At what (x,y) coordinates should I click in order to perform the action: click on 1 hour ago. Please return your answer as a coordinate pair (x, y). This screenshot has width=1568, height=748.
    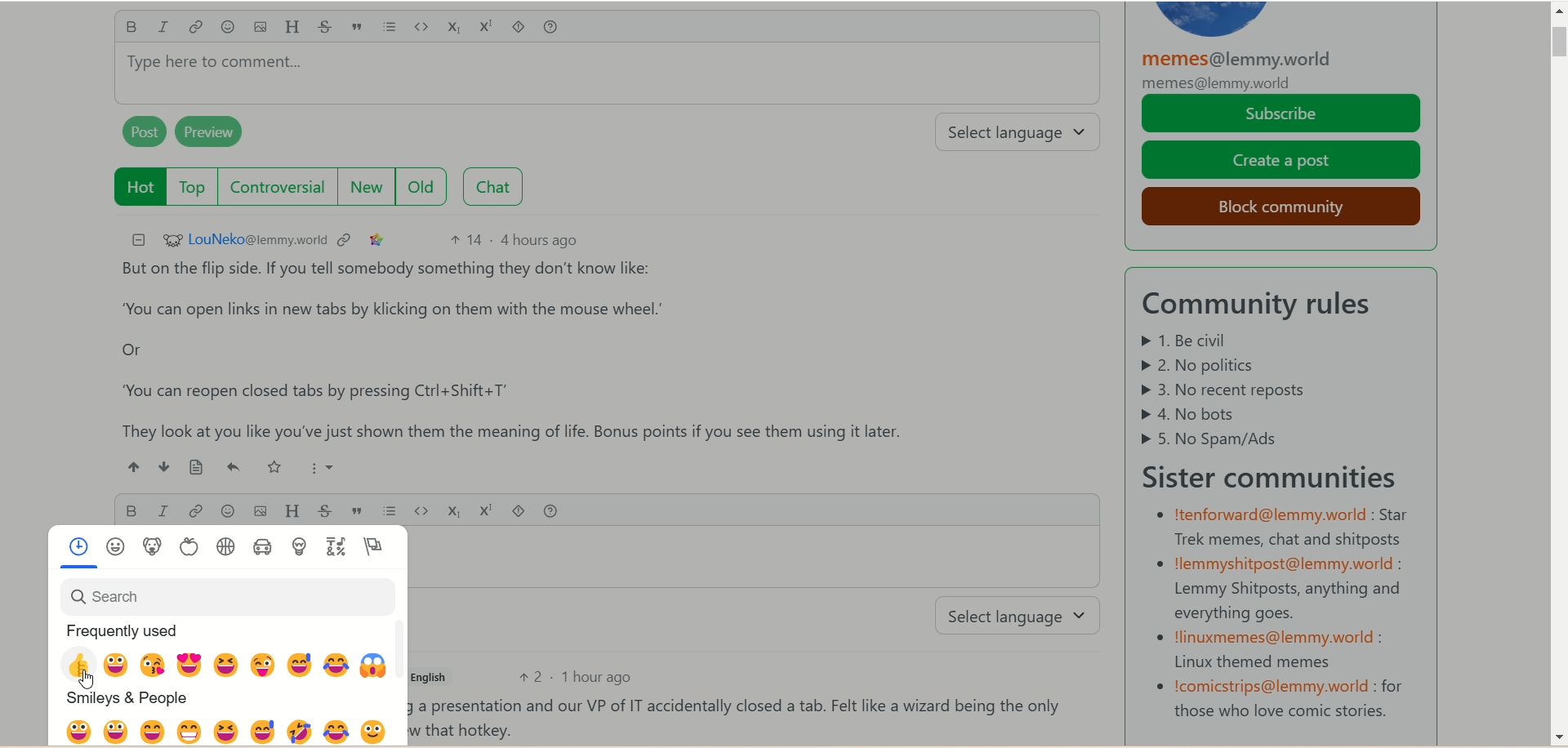
    Looking at the image, I should click on (604, 678).